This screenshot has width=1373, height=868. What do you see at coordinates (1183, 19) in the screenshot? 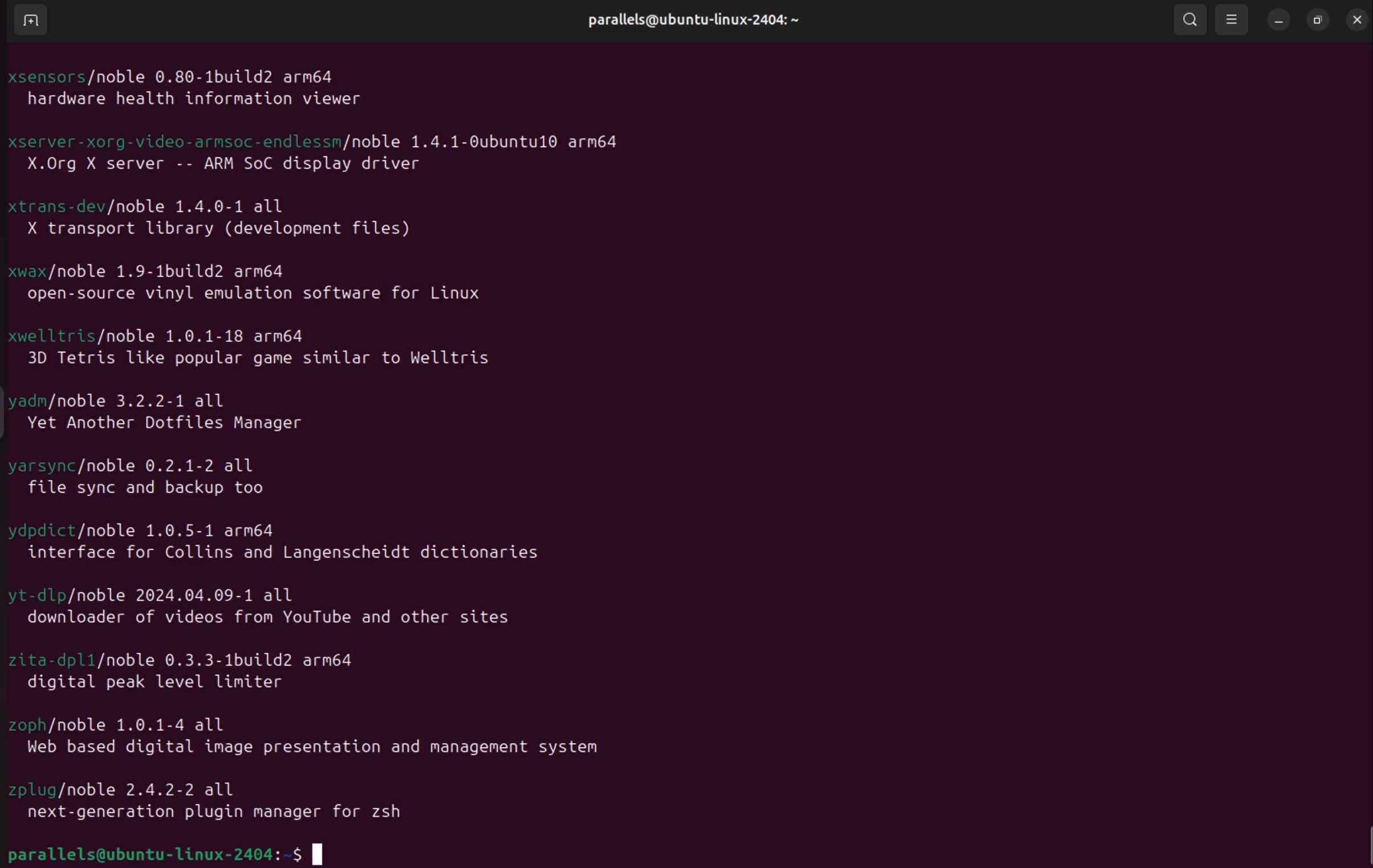
I see `search` at bounding box center [1183, 19].